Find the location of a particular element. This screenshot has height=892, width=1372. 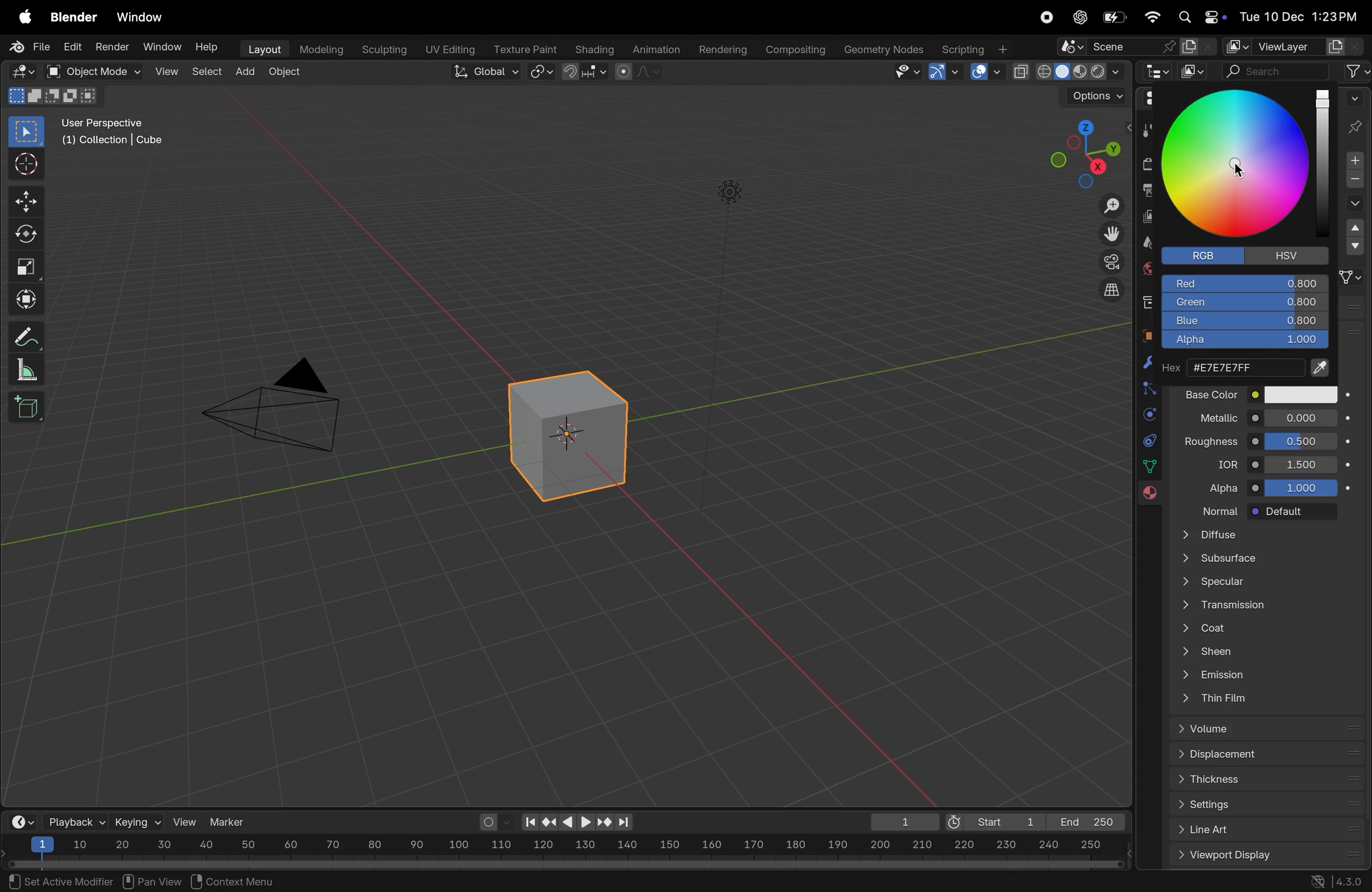

editor type is located at coordinates (18, 70).